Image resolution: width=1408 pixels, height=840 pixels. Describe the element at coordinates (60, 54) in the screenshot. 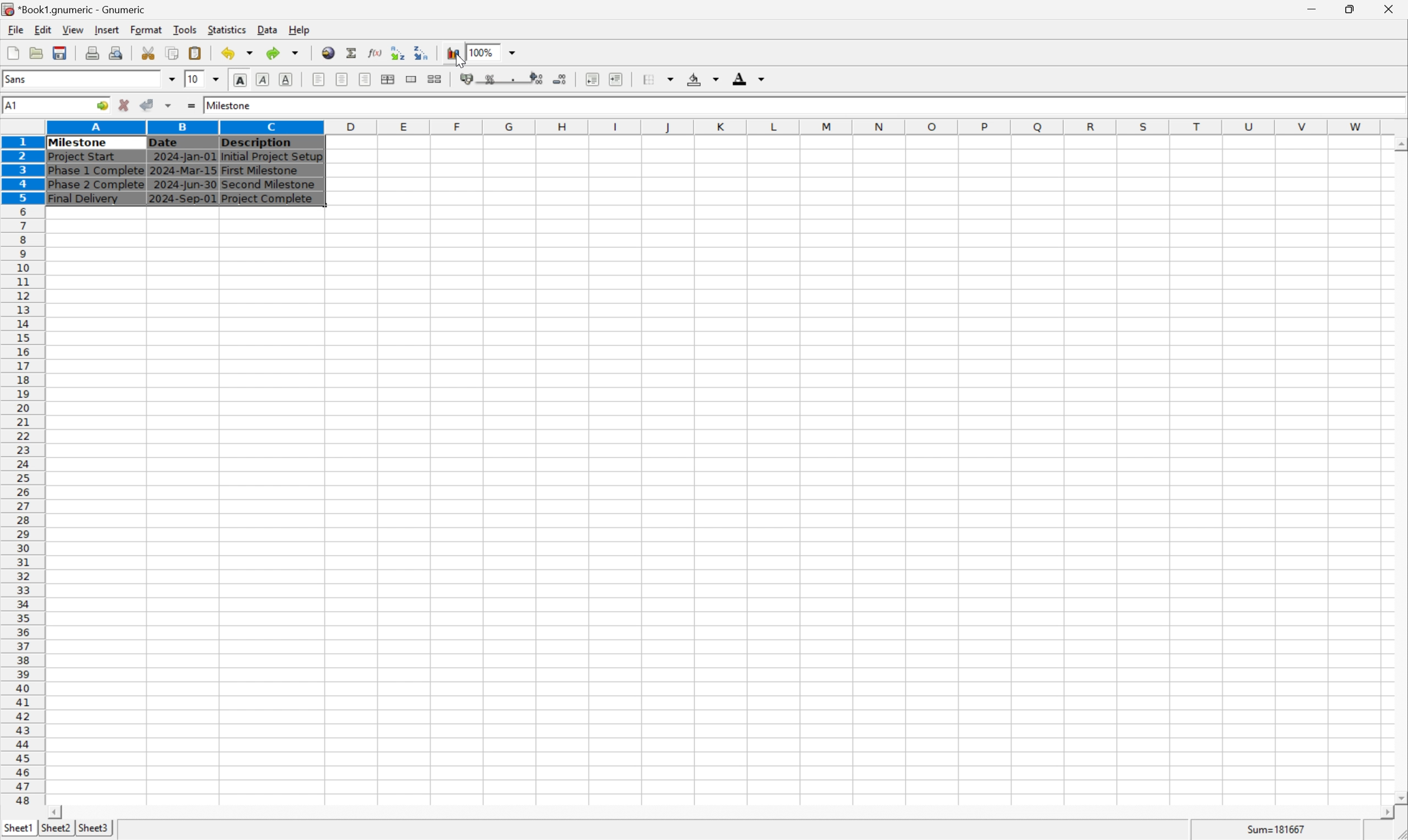

I see `save current workbook` at that location.